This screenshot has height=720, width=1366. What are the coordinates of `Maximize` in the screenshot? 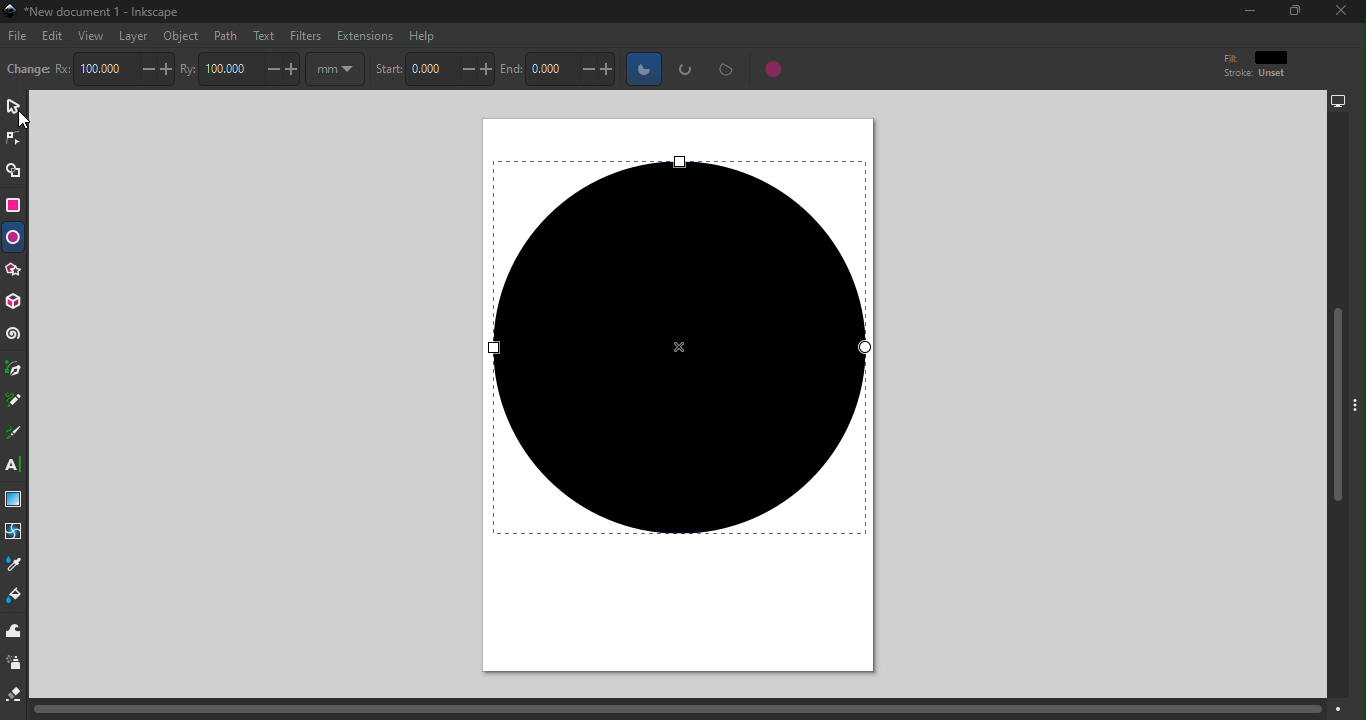 It's located at (1292, 12).